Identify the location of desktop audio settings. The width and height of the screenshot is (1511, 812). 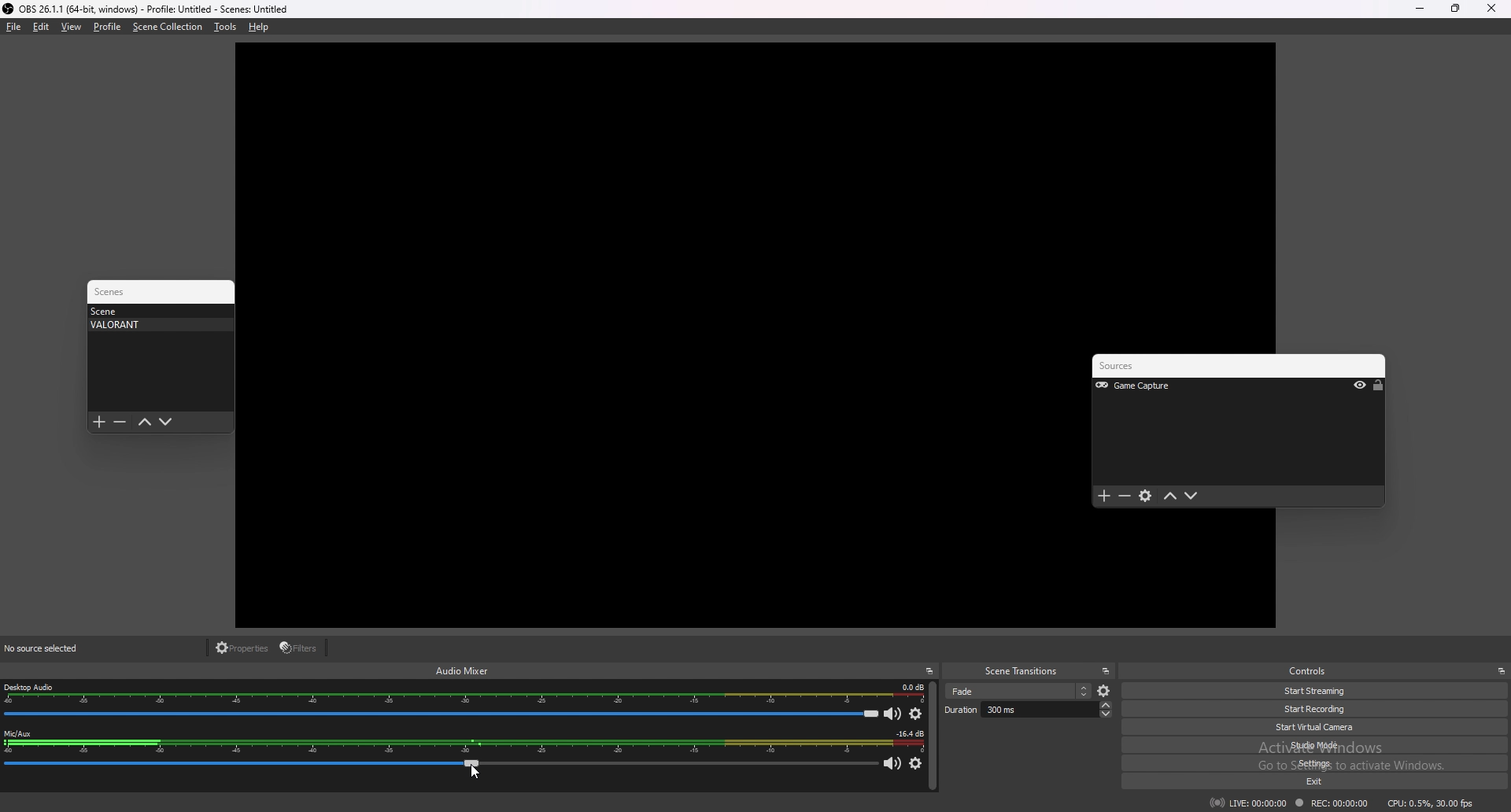
(916, 714).